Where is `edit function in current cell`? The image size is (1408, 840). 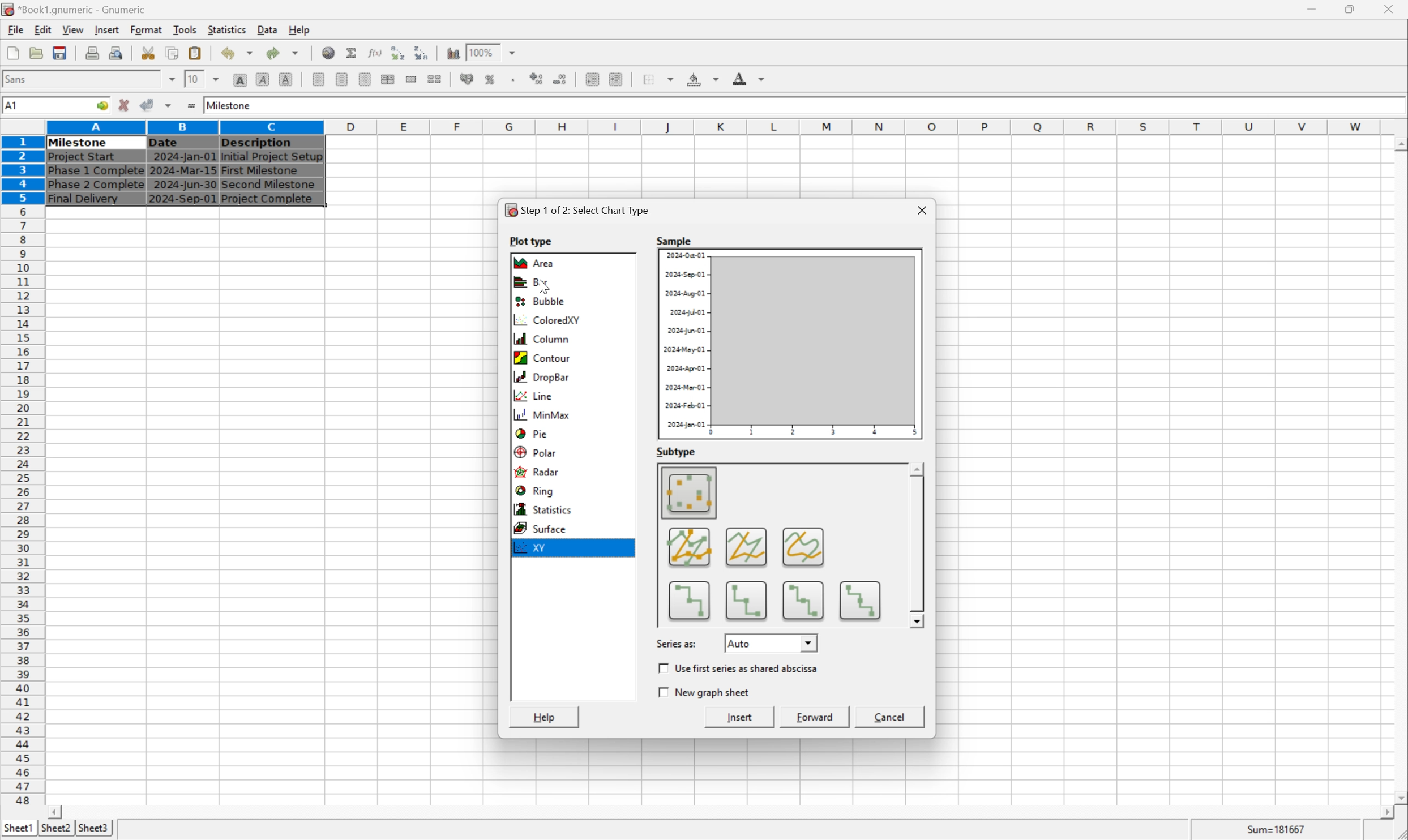
edit function in current cell is located at coordinates (374, 52).